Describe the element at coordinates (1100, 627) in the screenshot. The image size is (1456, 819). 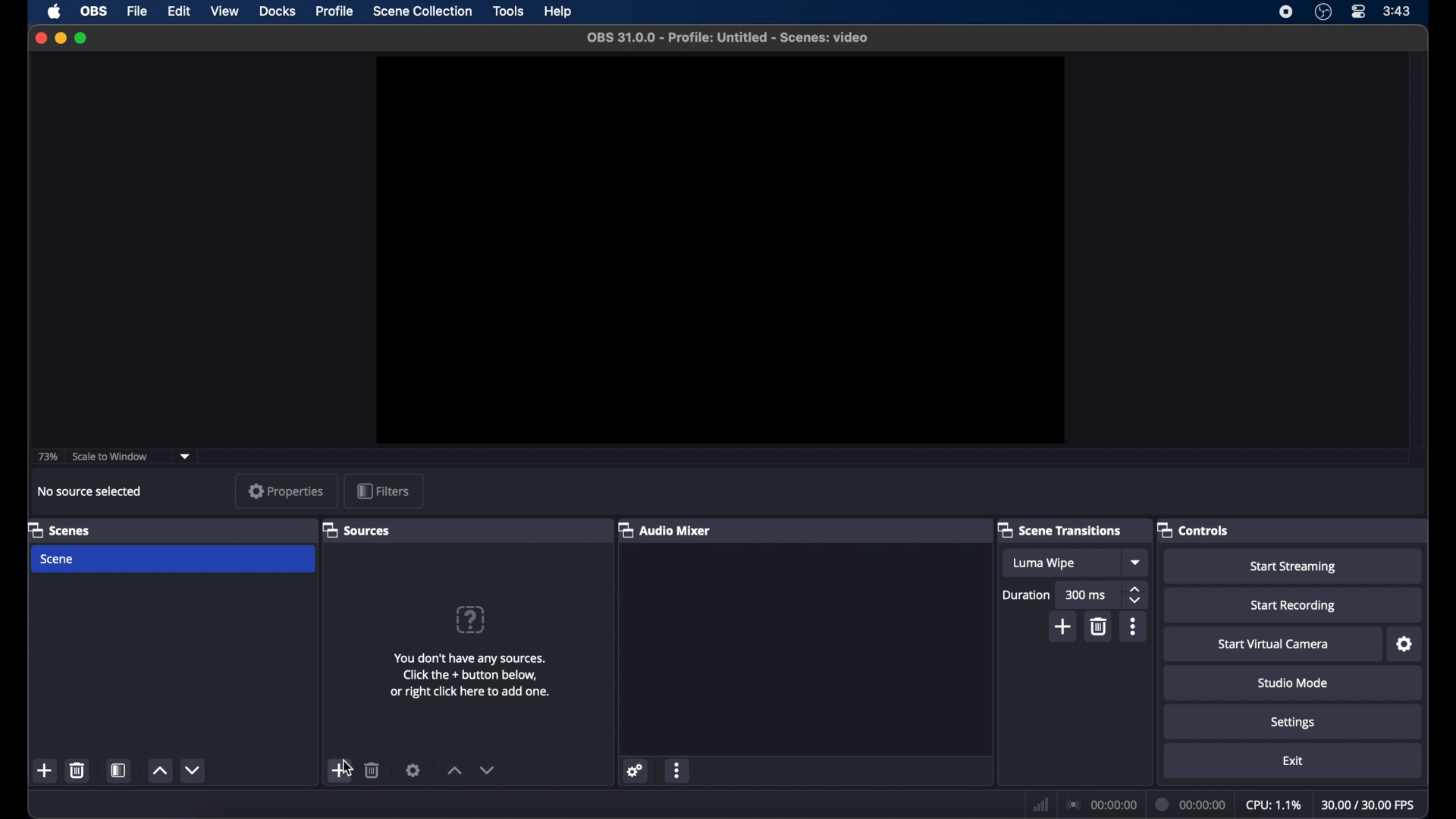
I see `delete` at that location.